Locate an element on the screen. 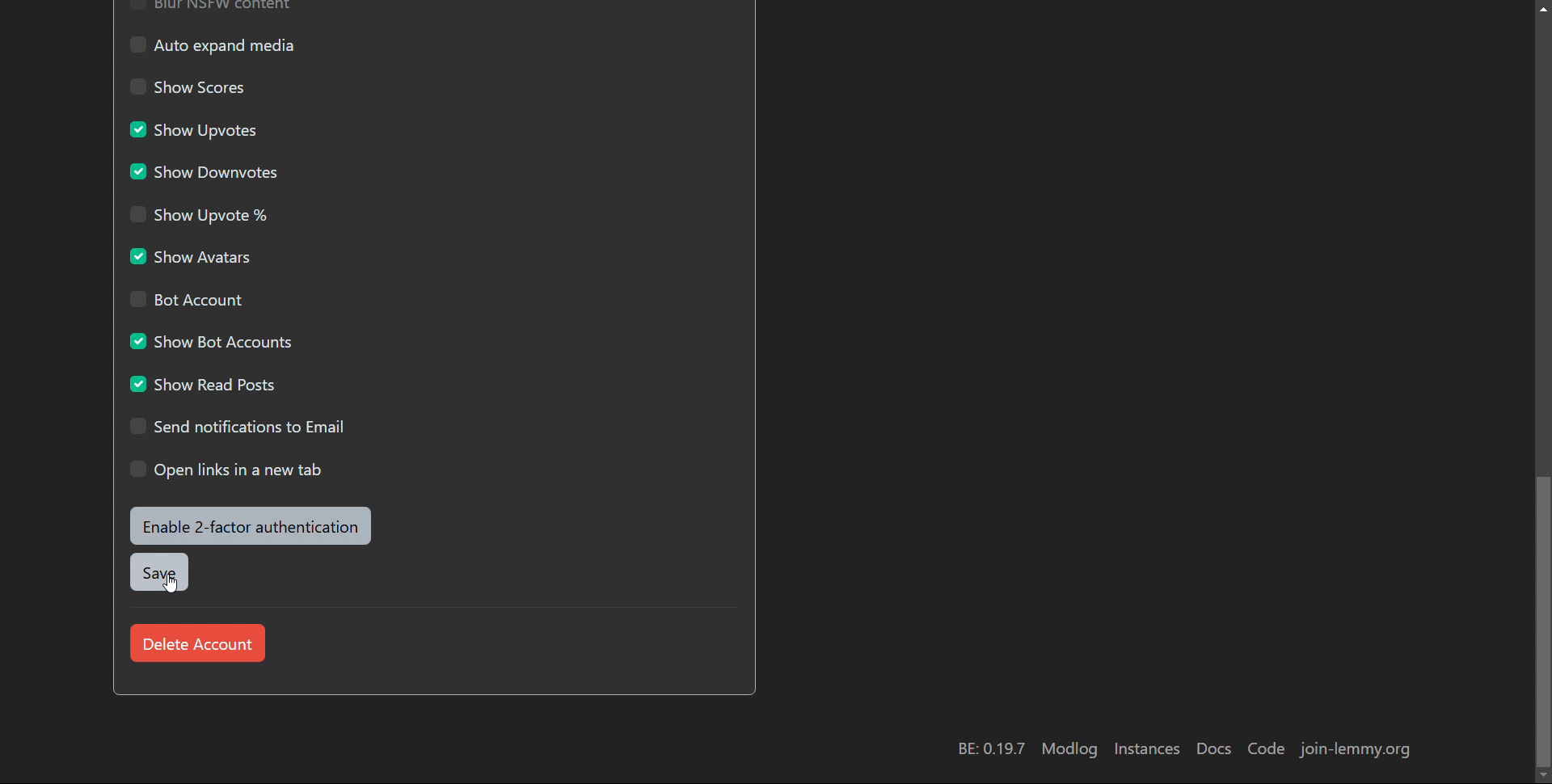 The width and height of the screenshot is (1552, 784). version is located at coordinates (992, 748).